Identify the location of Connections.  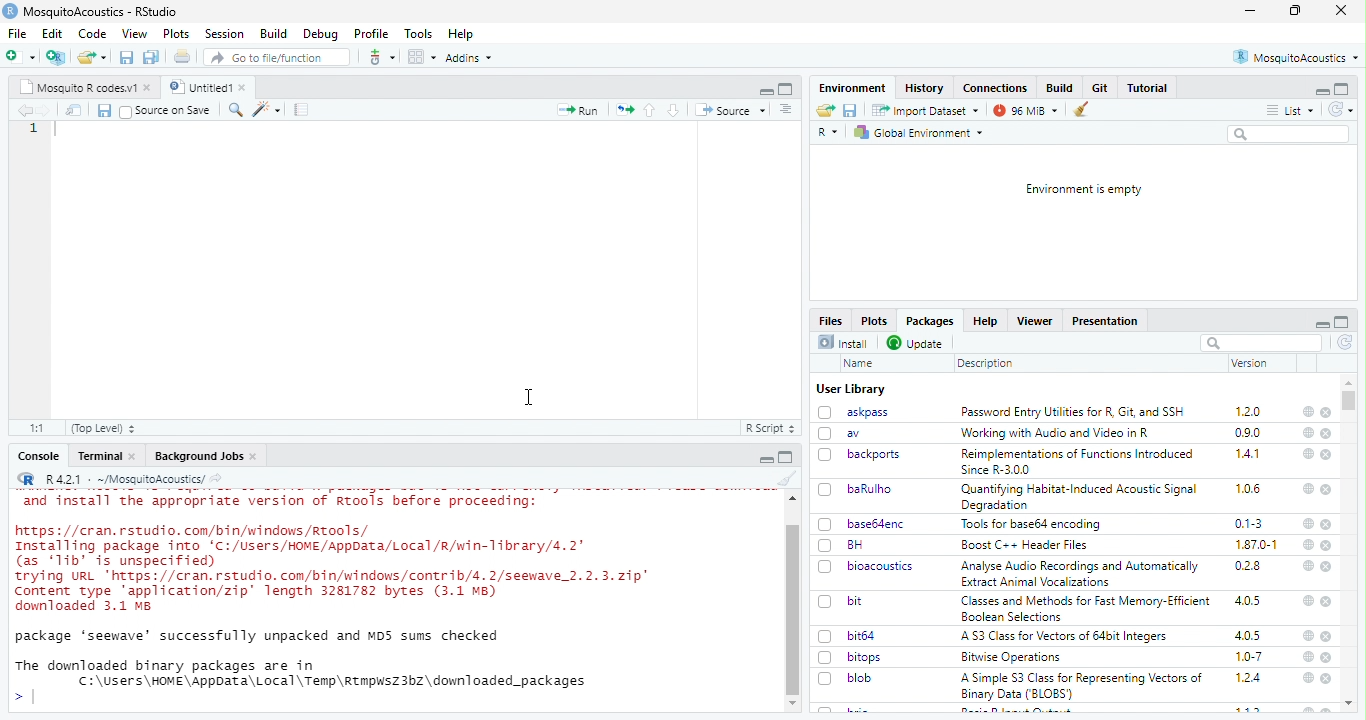
(997, 88).